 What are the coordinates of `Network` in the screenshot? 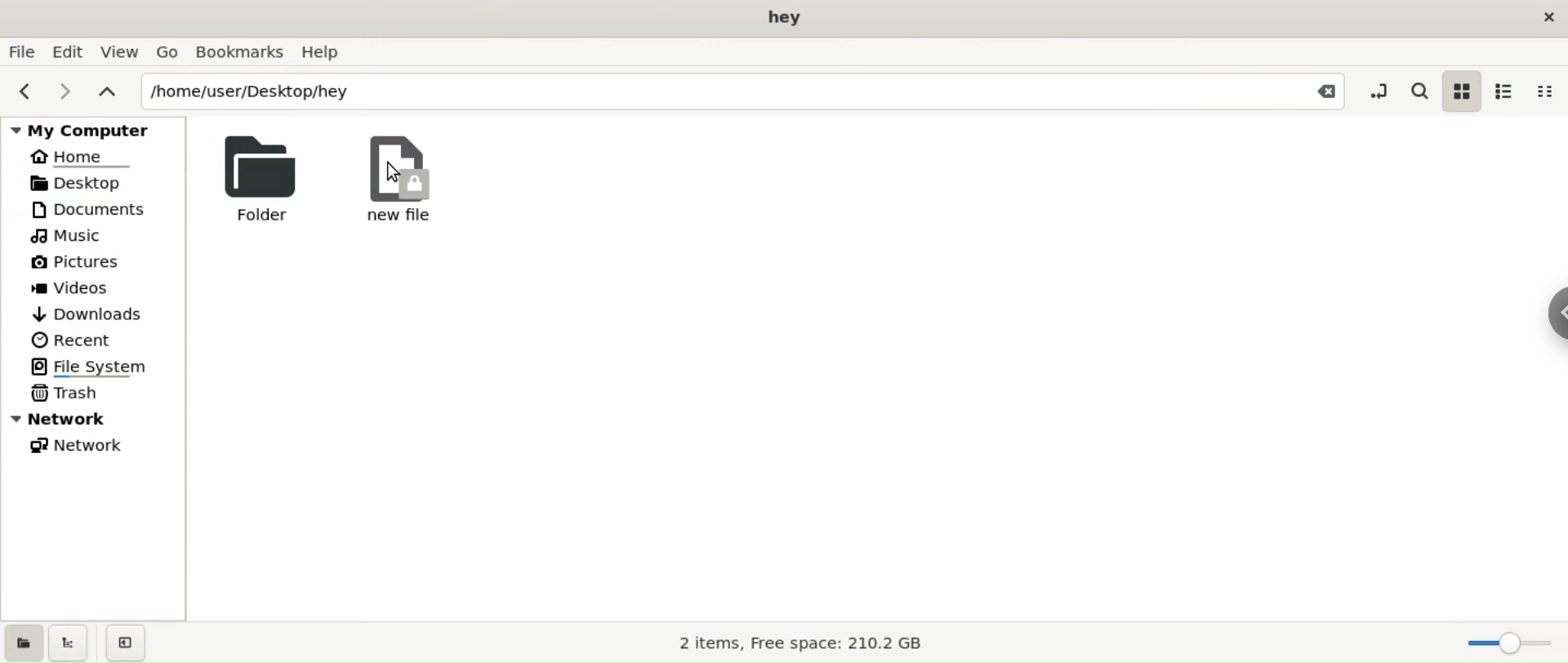 It's located at (82, 445).